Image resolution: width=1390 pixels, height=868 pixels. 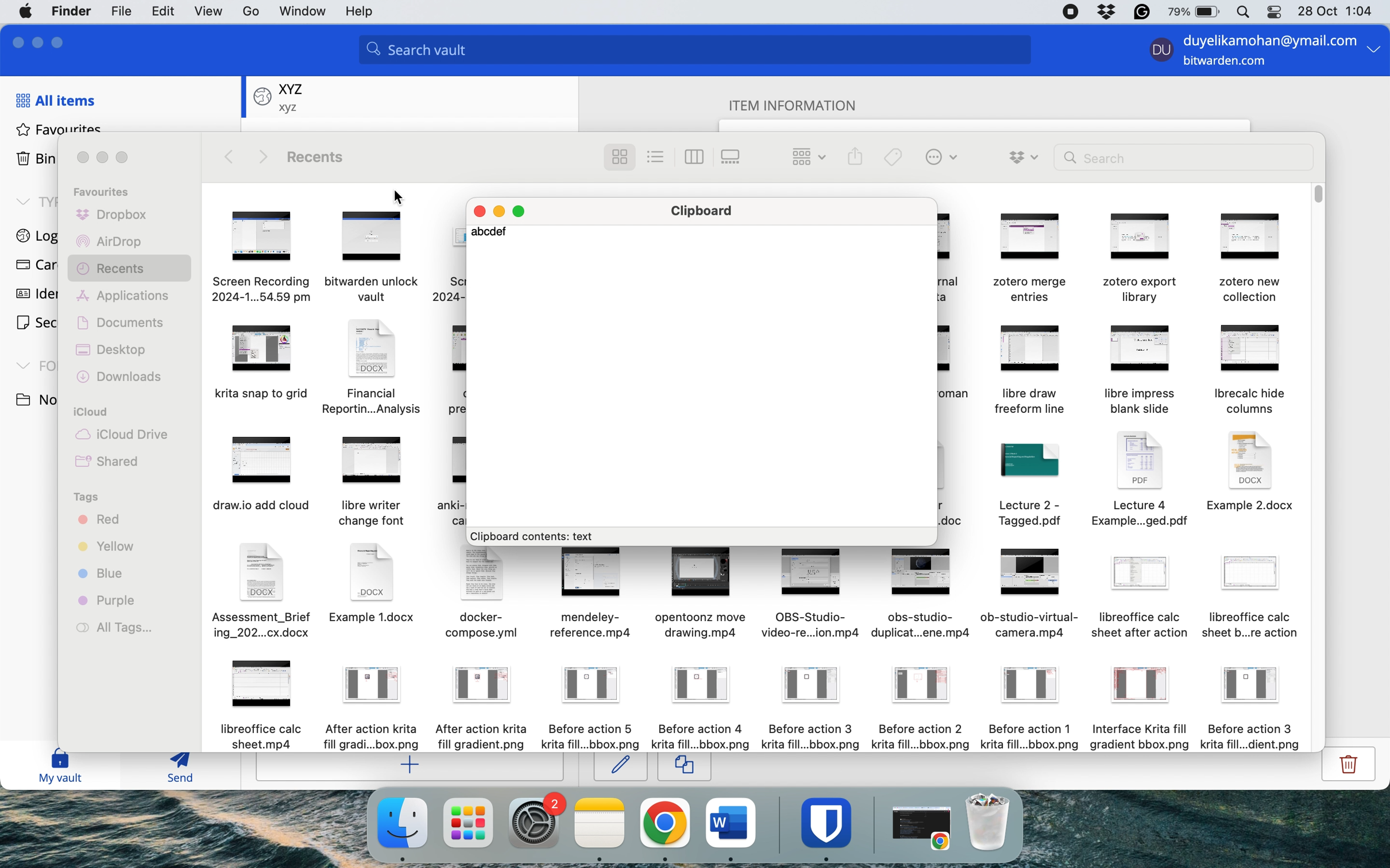 What do you see at coordinates (994, 821) in the screenshot?
I see `bin` at bounding box center [994, 821].